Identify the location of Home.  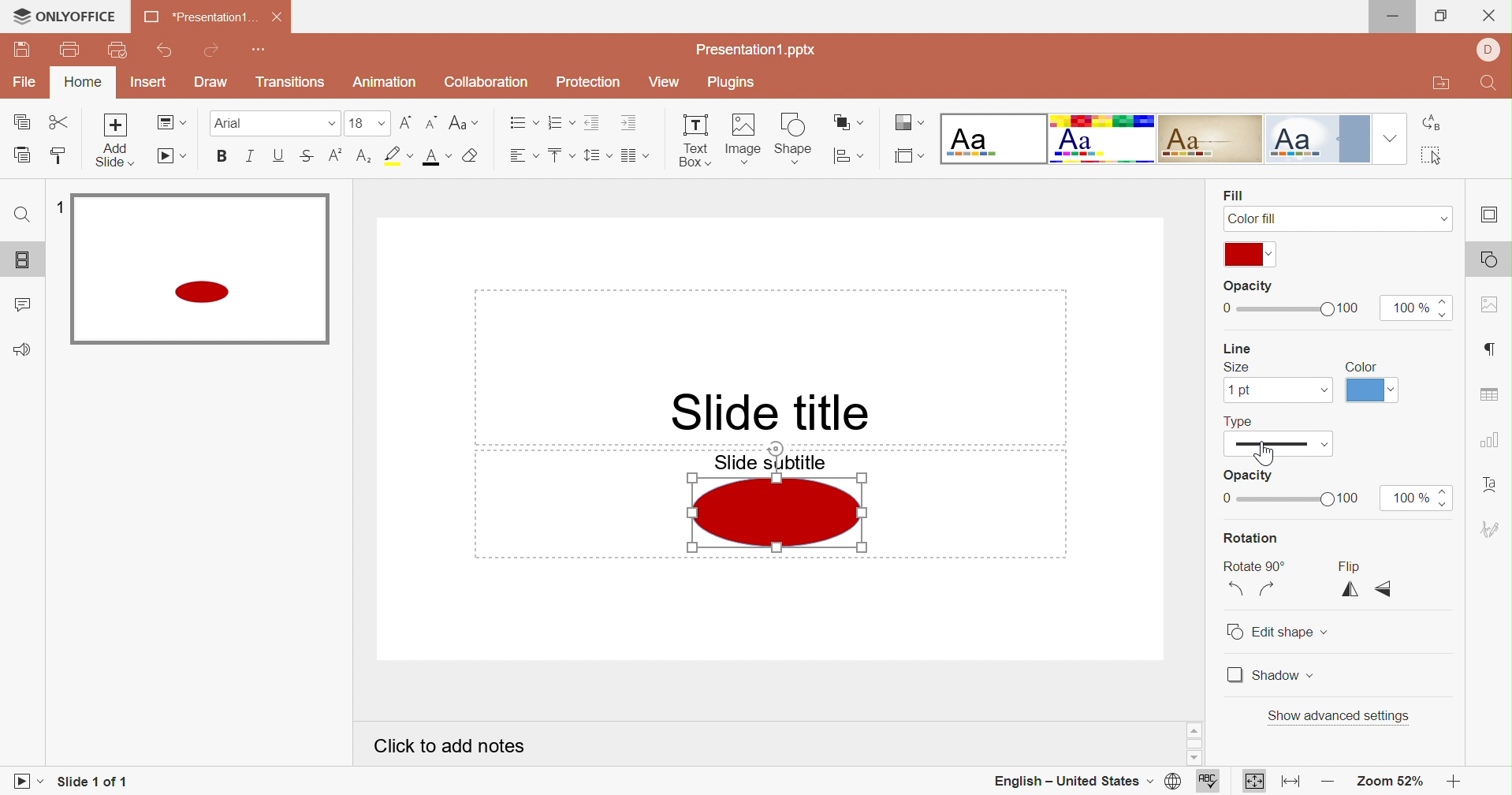
(85, 84).